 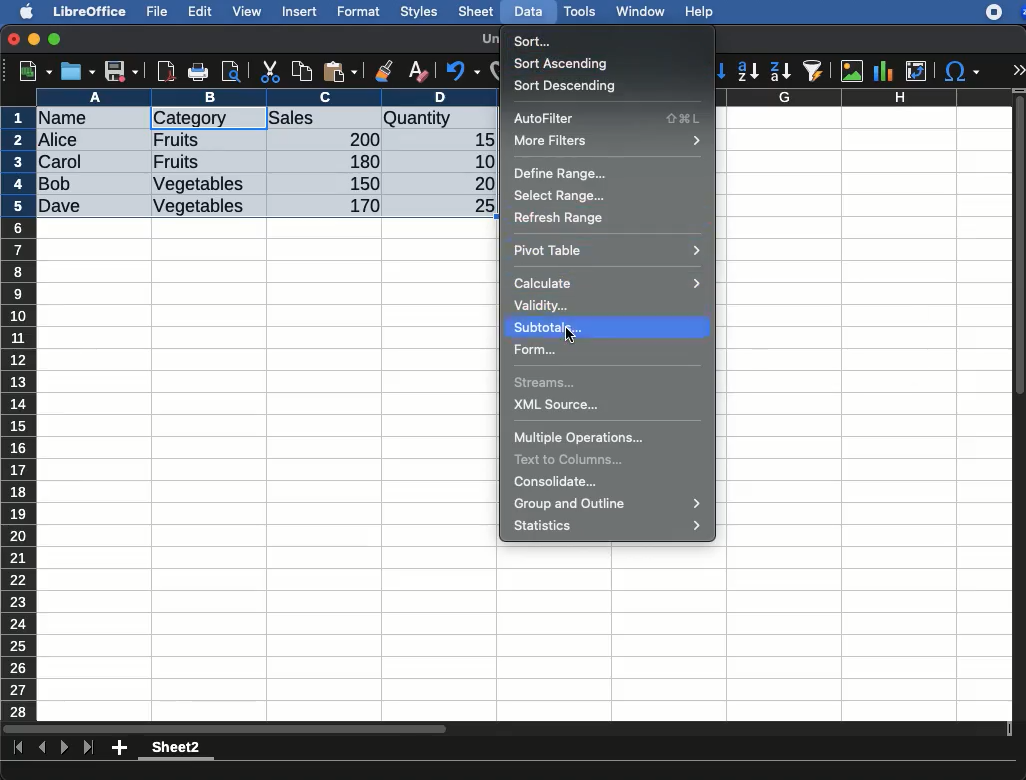 I want to click on 10, so click(x=479, y=160).